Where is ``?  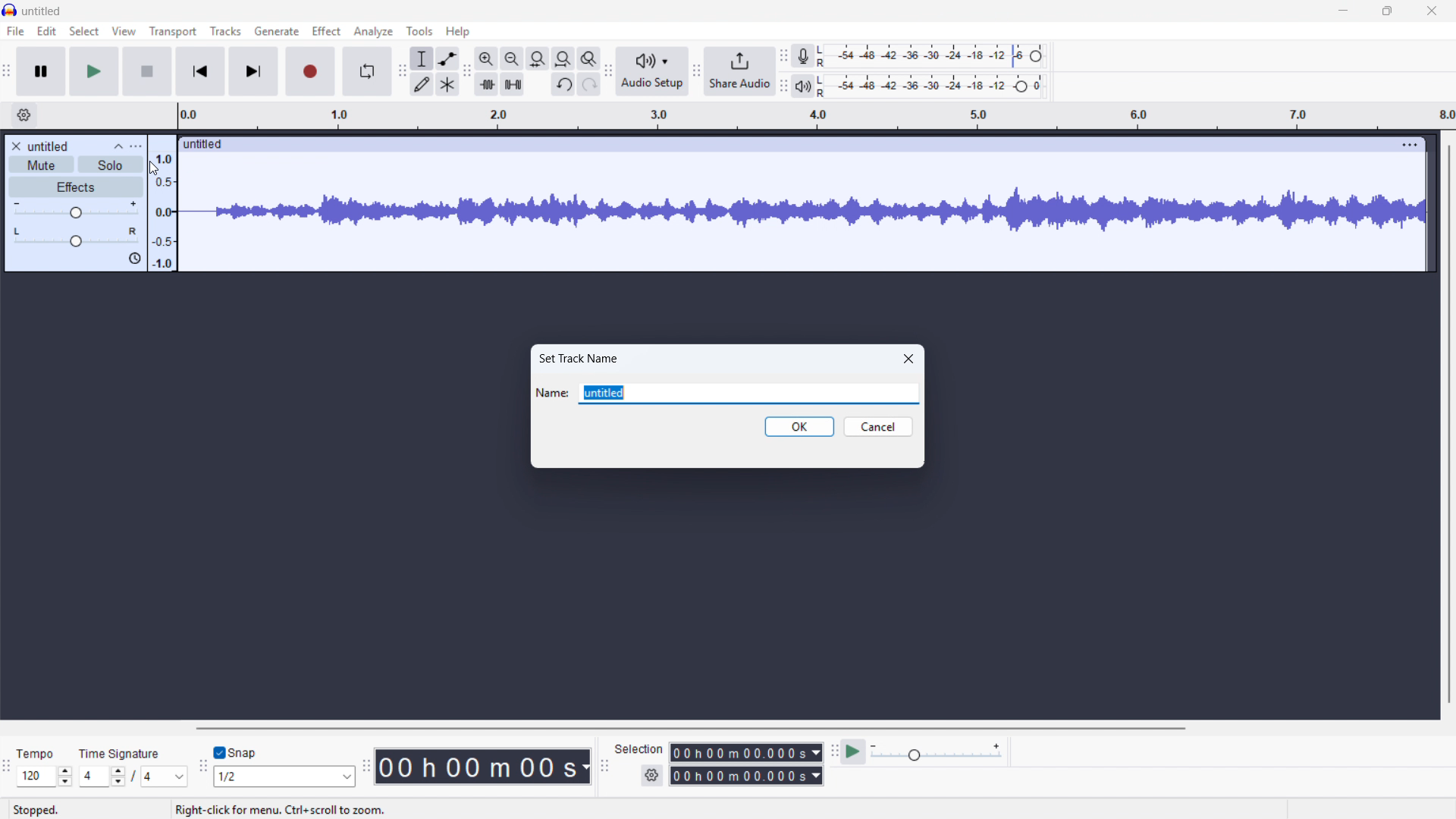
 is located at coordinates (937, 752).